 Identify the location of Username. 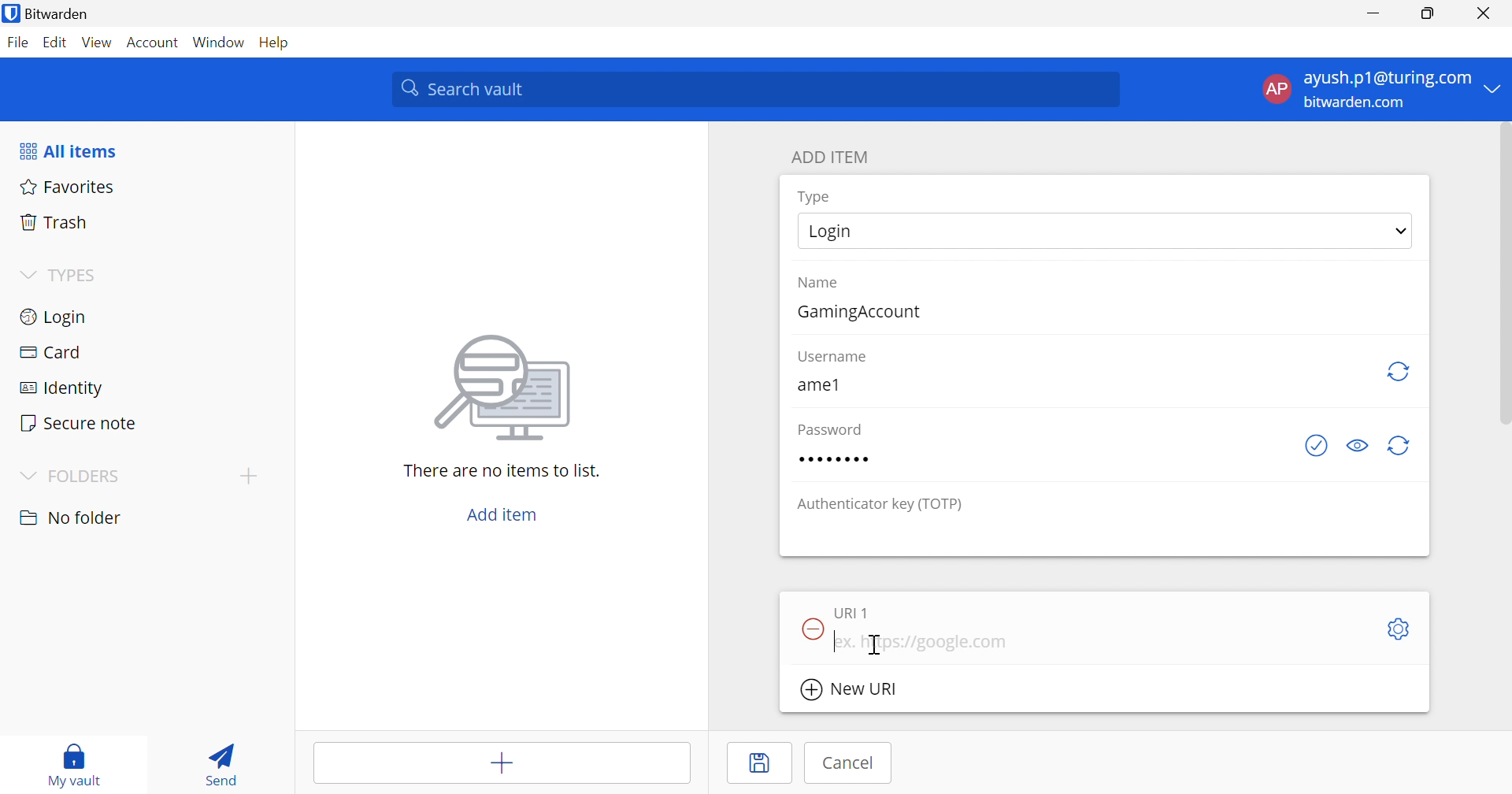
(835, 358).